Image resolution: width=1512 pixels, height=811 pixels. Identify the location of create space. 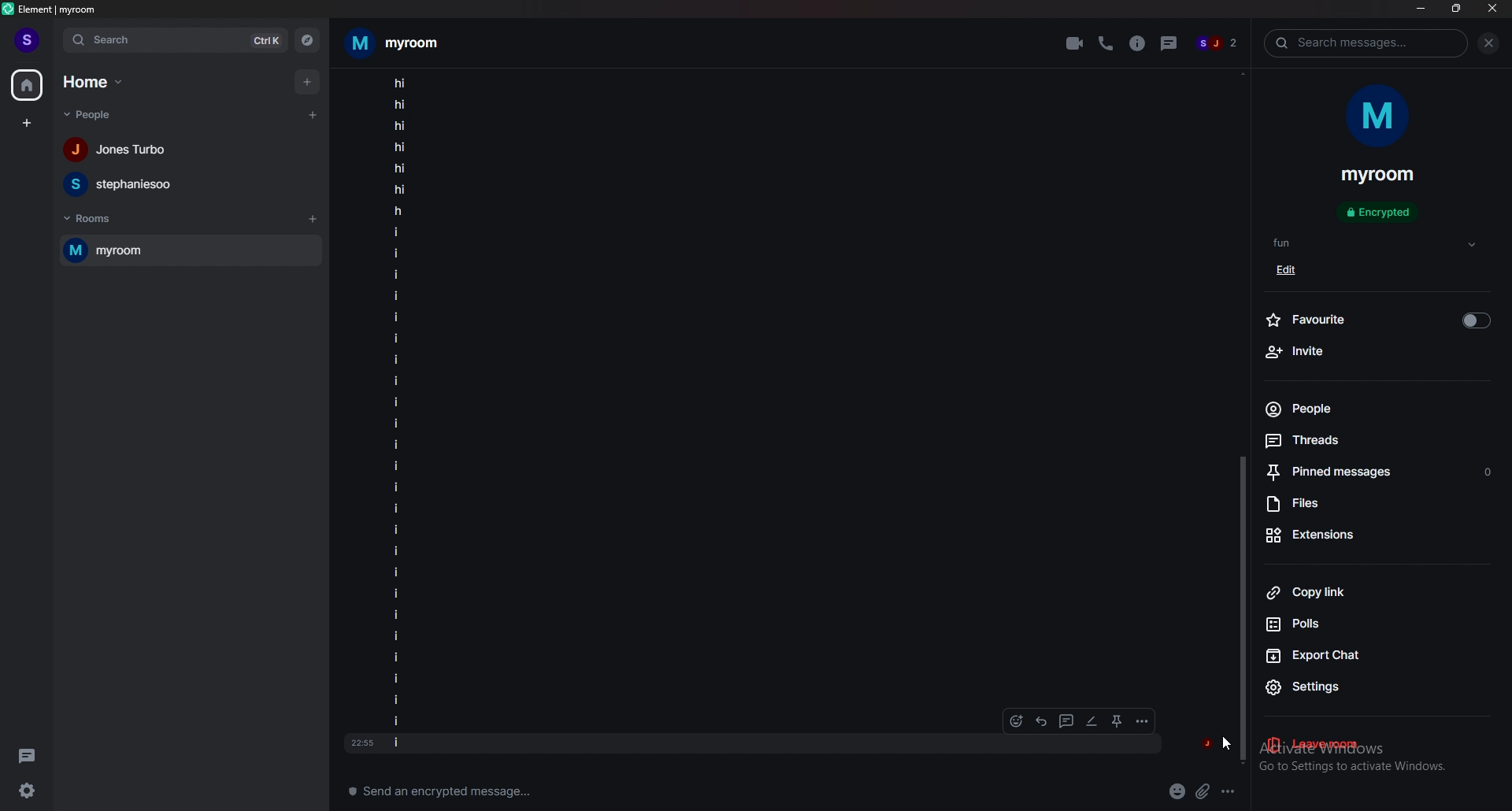
(29, 123).